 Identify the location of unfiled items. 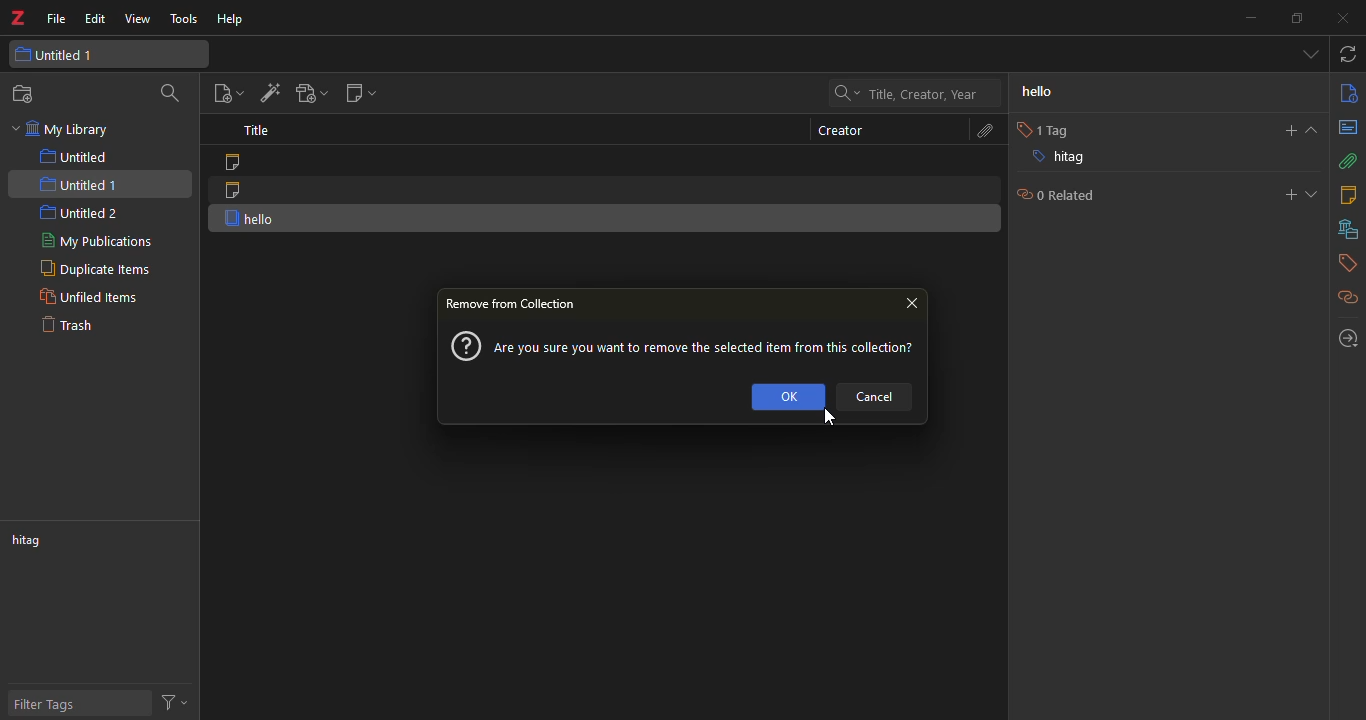
(88, 297).